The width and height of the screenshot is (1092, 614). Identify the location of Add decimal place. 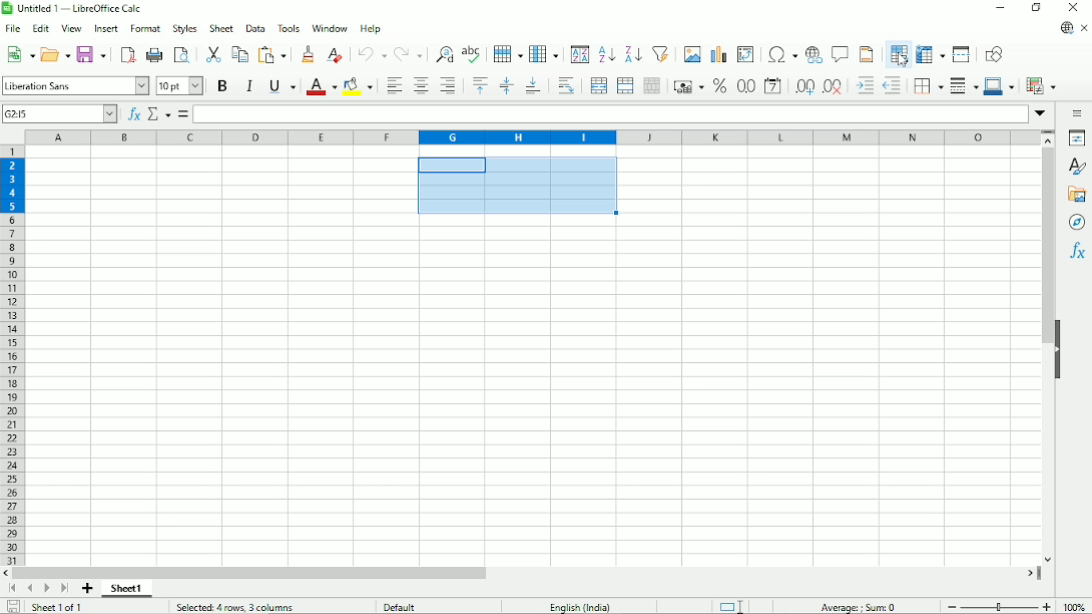
(804, 88).